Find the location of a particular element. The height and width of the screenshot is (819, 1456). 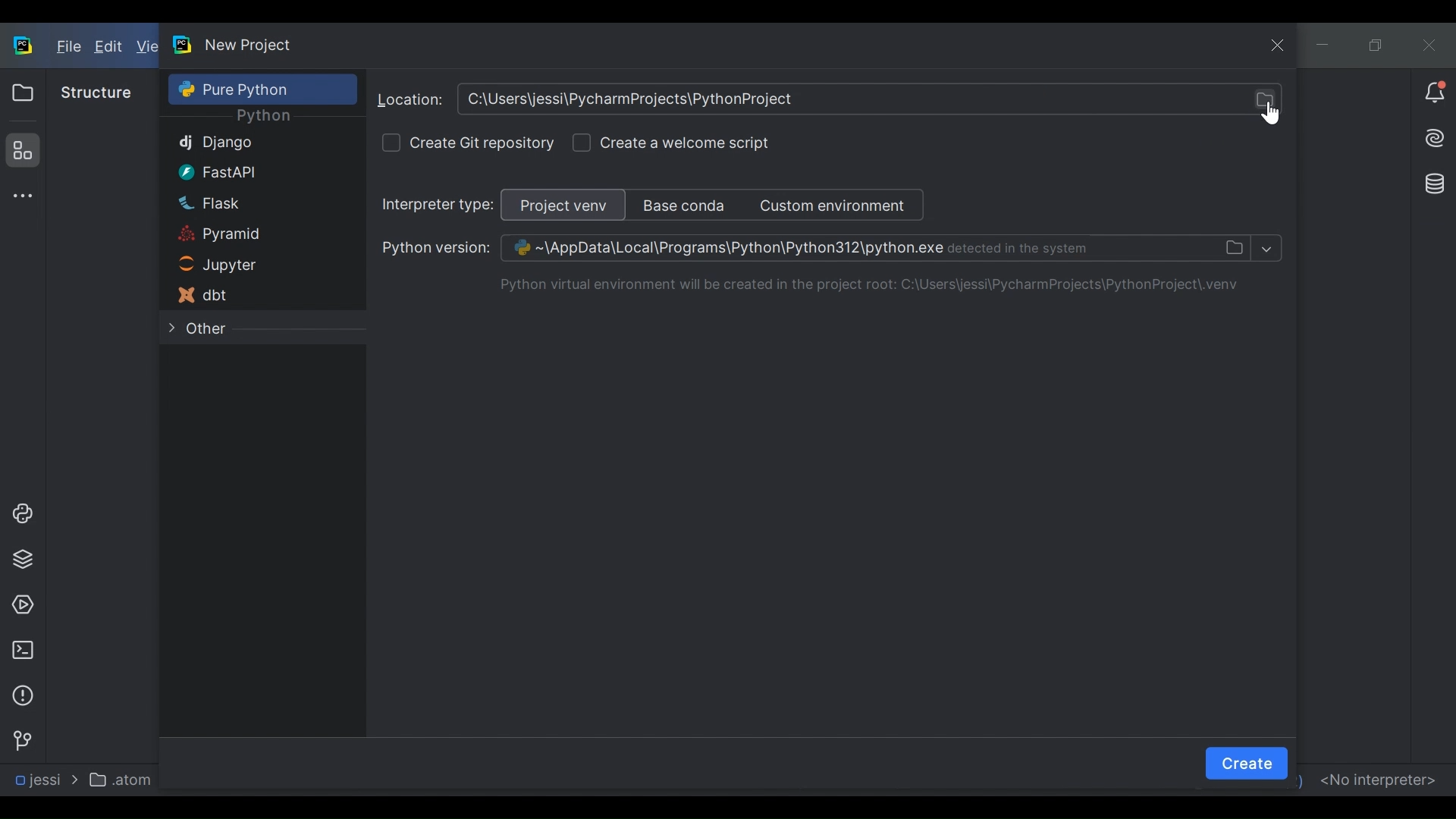

Django is located at coordinates (246, 143).